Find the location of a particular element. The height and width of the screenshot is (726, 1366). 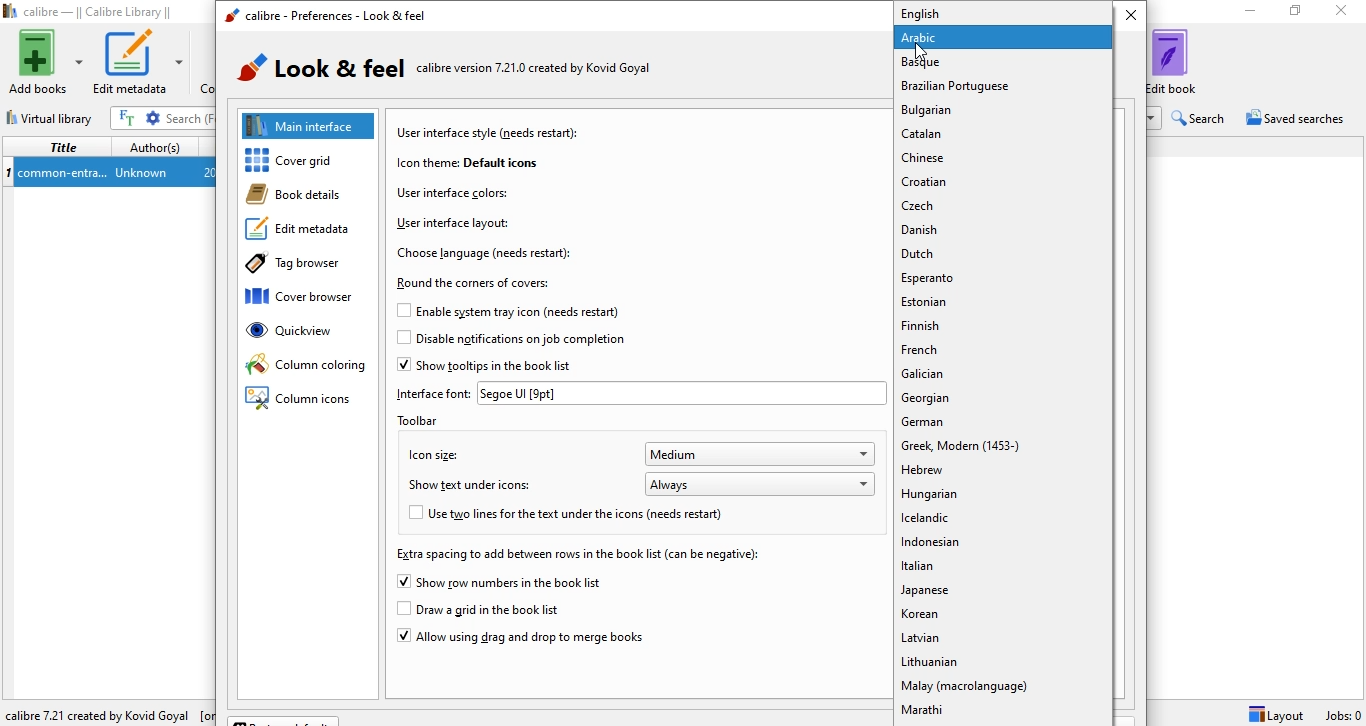

lithuanian is located at coordinates (1004, 663).